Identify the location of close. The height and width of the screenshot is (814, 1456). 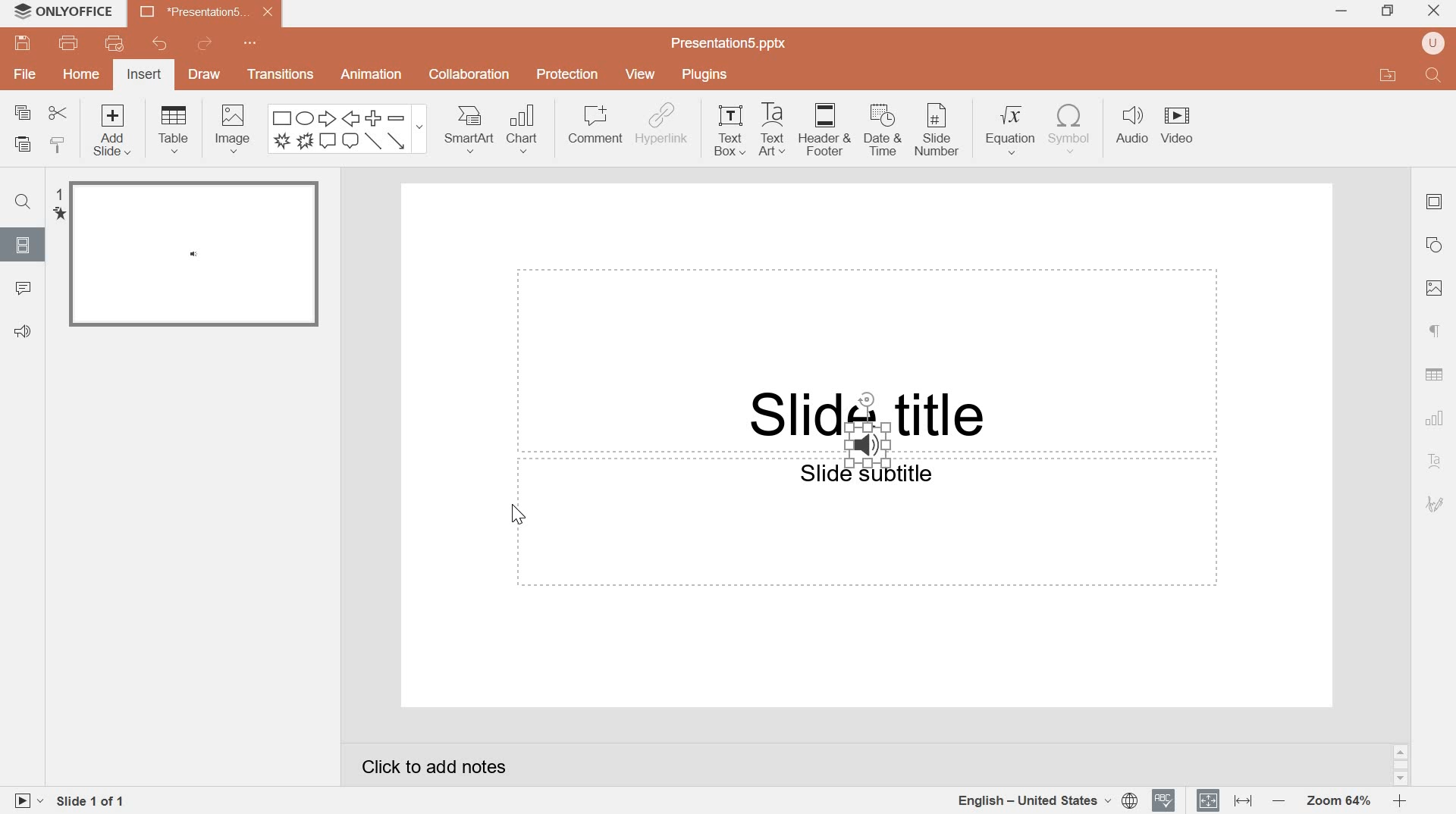
(1434, 9).